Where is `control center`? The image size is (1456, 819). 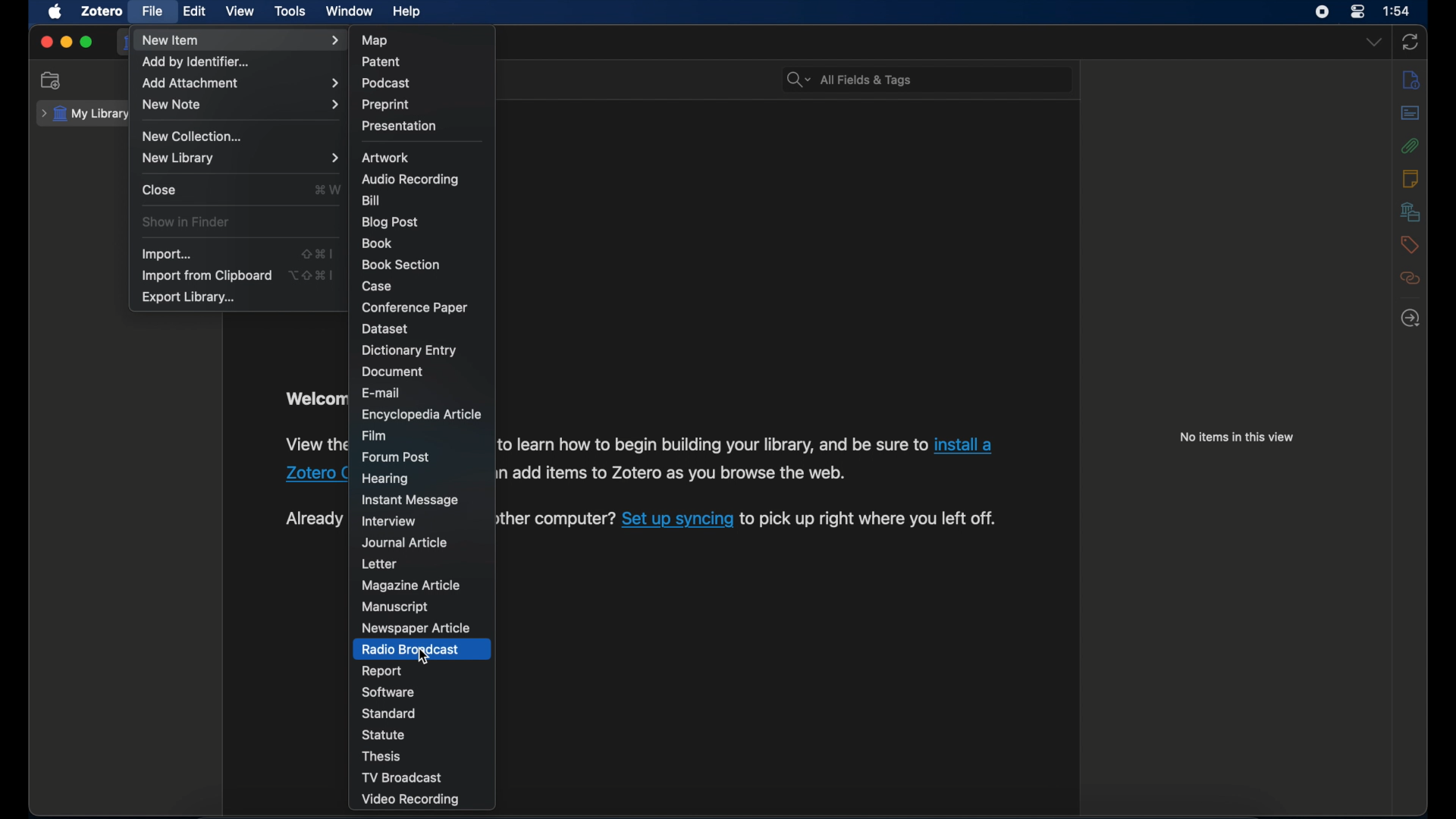 control center is located at coordinates (1357, 12).